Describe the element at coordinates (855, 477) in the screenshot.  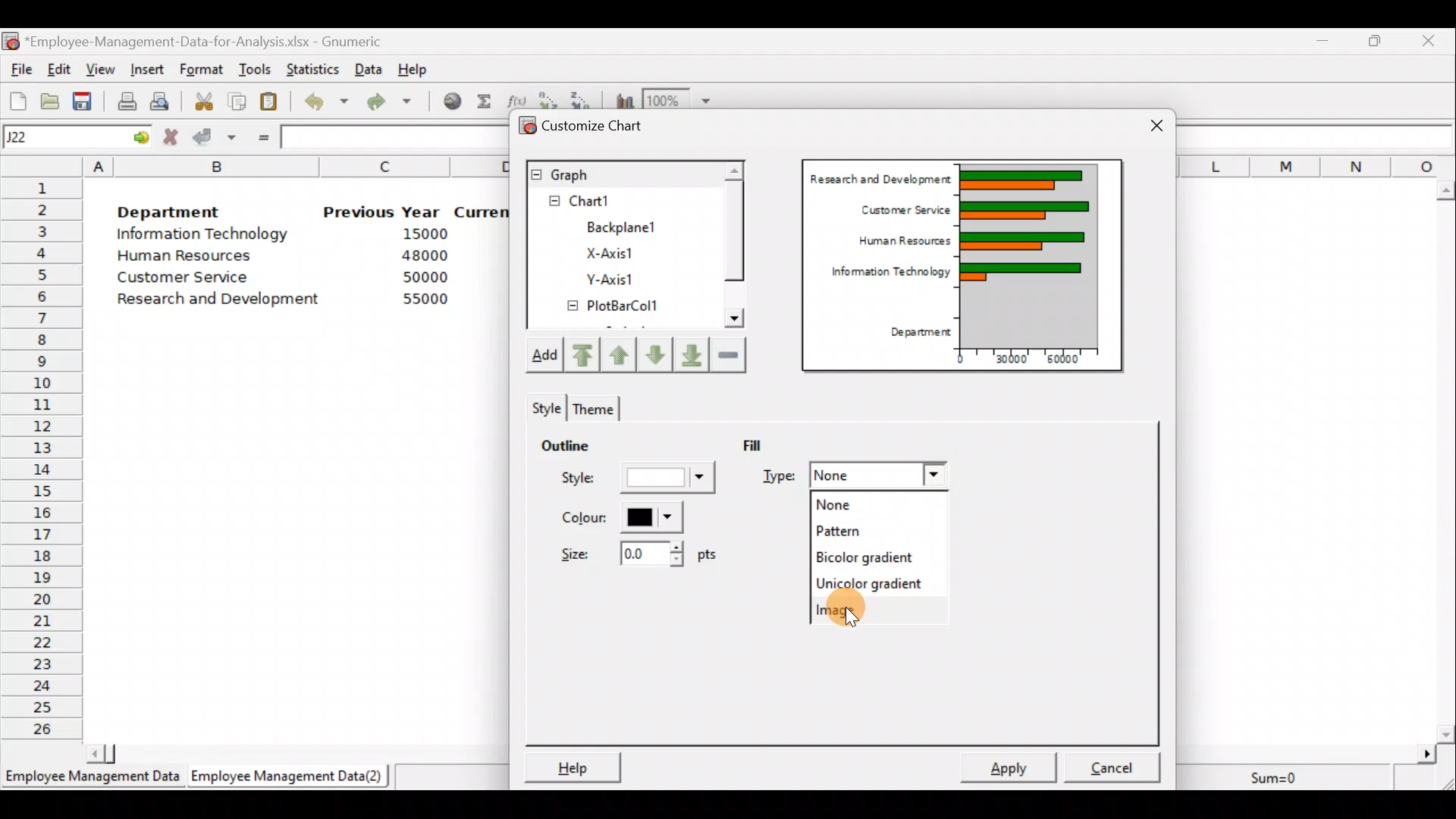
I see `Fill Type dropdown` at that location.